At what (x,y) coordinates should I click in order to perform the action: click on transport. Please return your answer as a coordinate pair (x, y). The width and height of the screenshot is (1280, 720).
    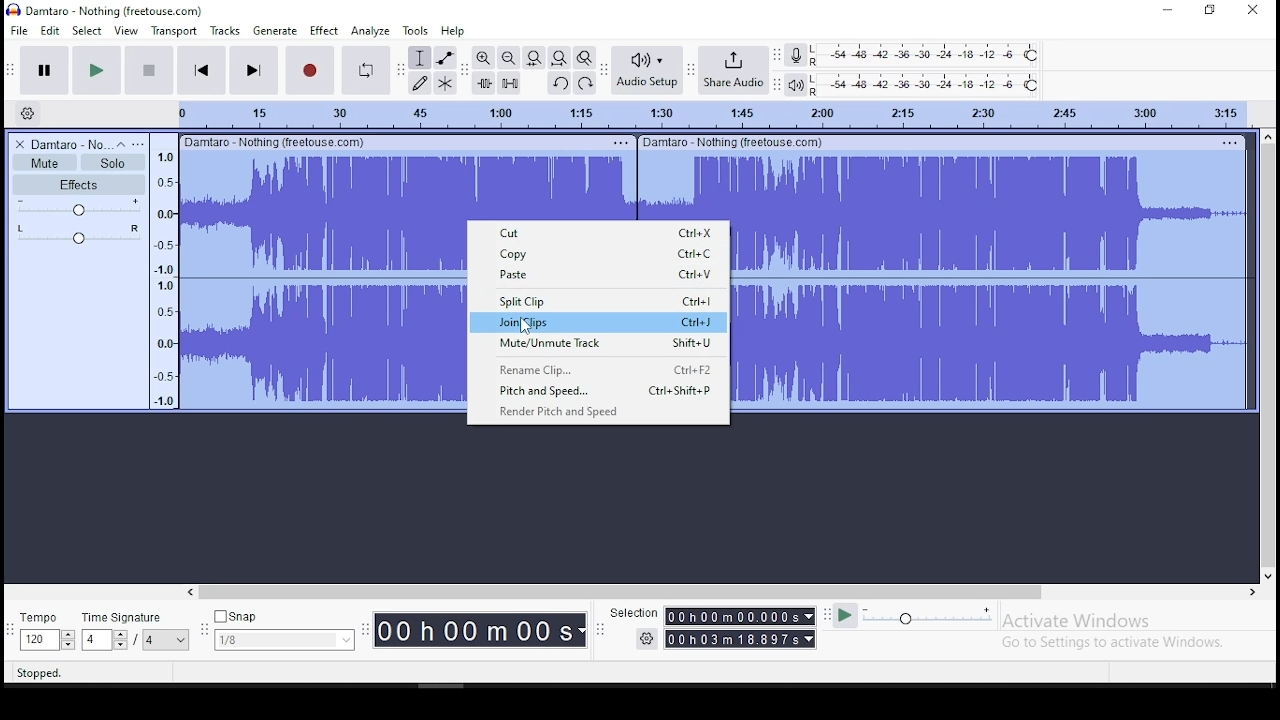
    Looking at the image, I should click on (173, 30).